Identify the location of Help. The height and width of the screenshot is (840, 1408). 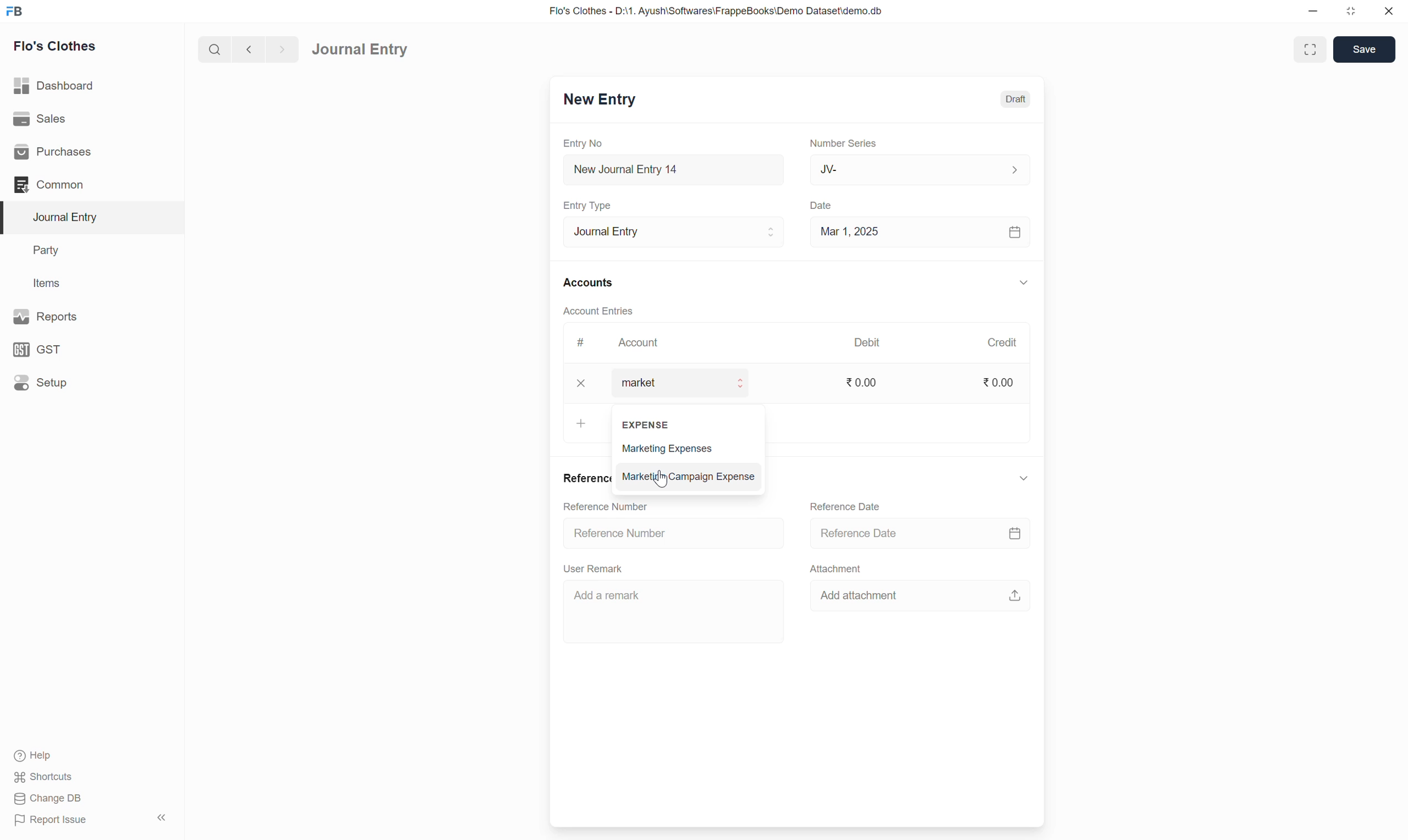
(36, 756).